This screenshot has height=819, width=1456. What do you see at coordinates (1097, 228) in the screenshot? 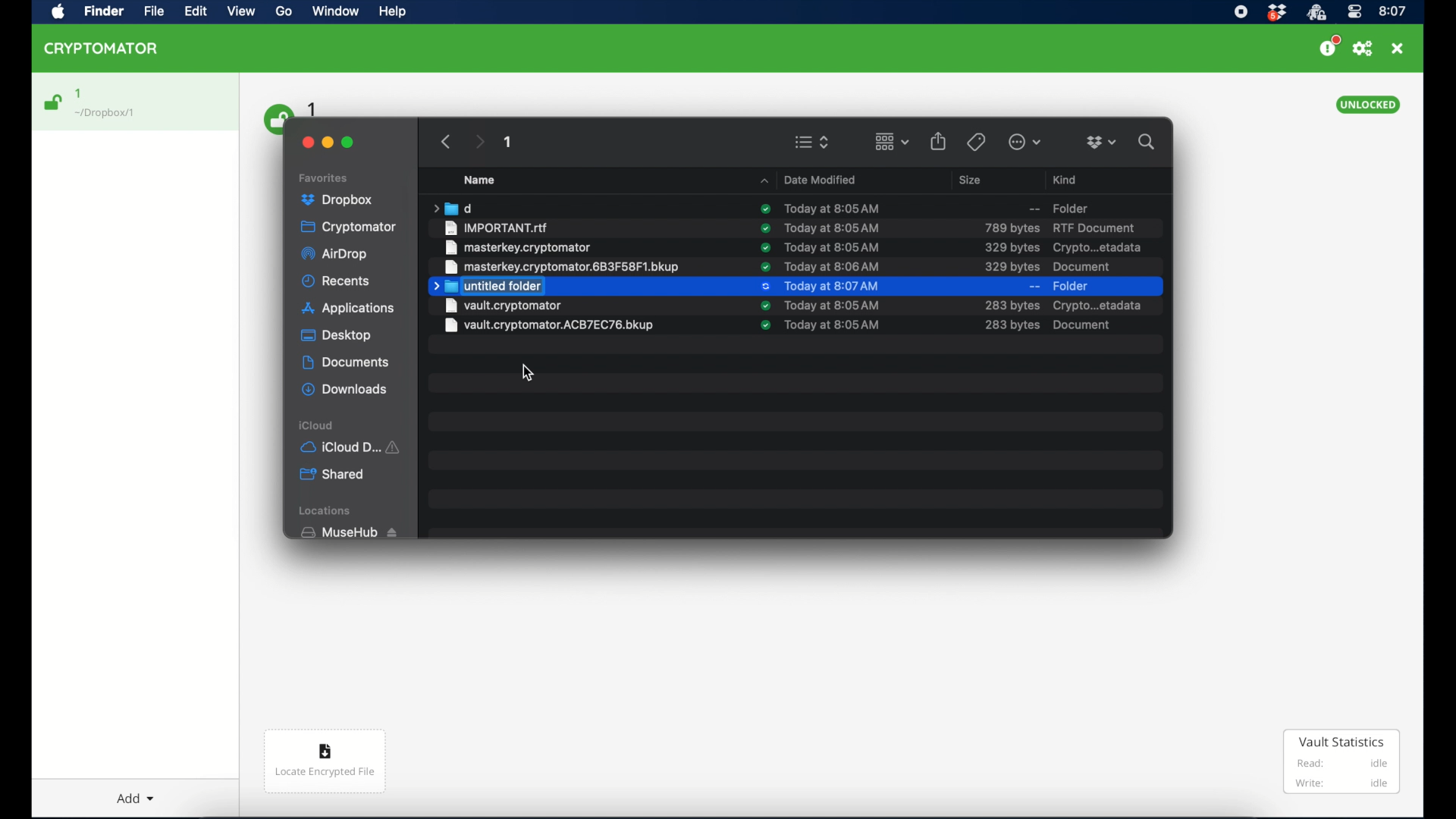
I see `rtf document` at bounding box center [1097, 228].